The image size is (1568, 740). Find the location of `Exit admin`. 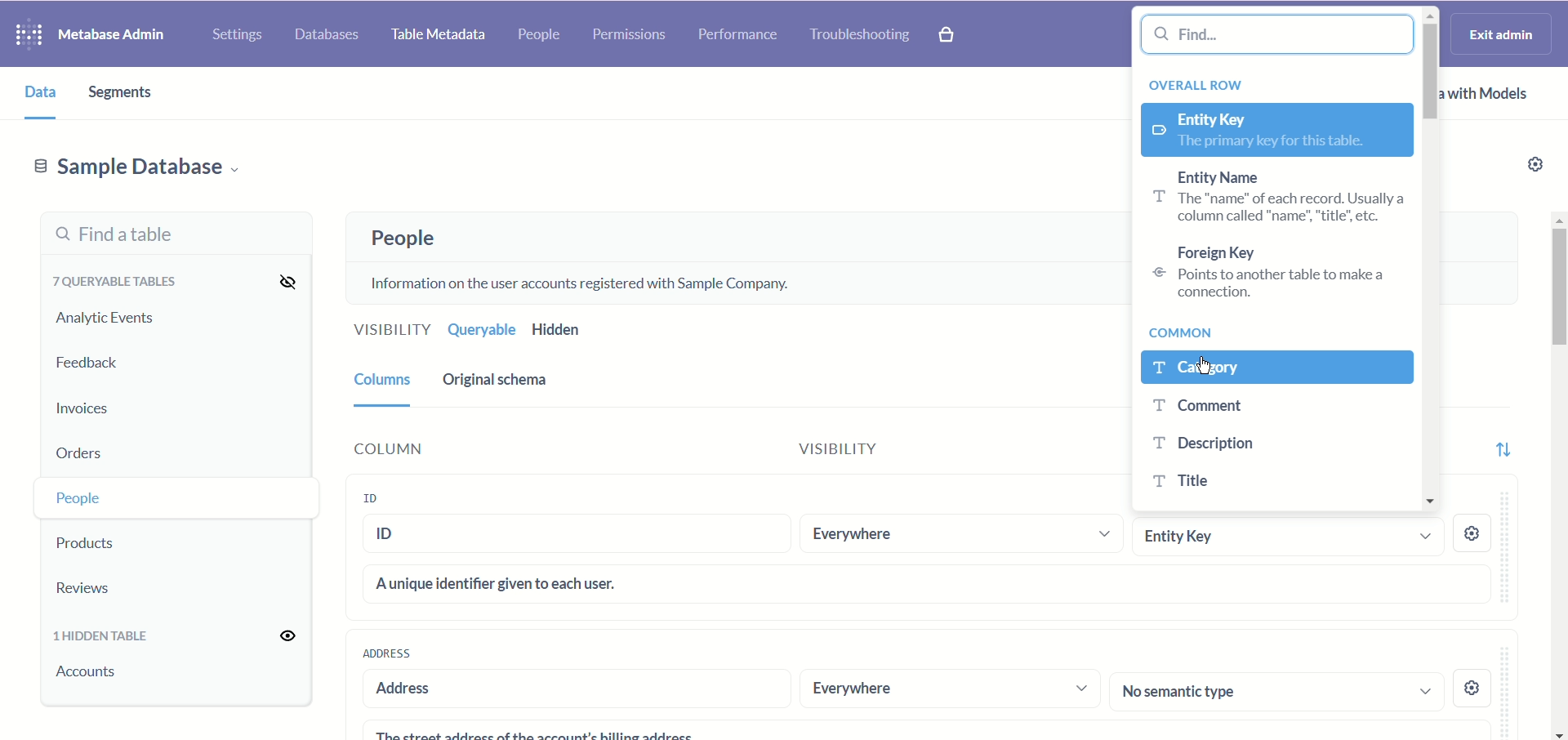

Exit admin is located at coordinates (1503, 33).